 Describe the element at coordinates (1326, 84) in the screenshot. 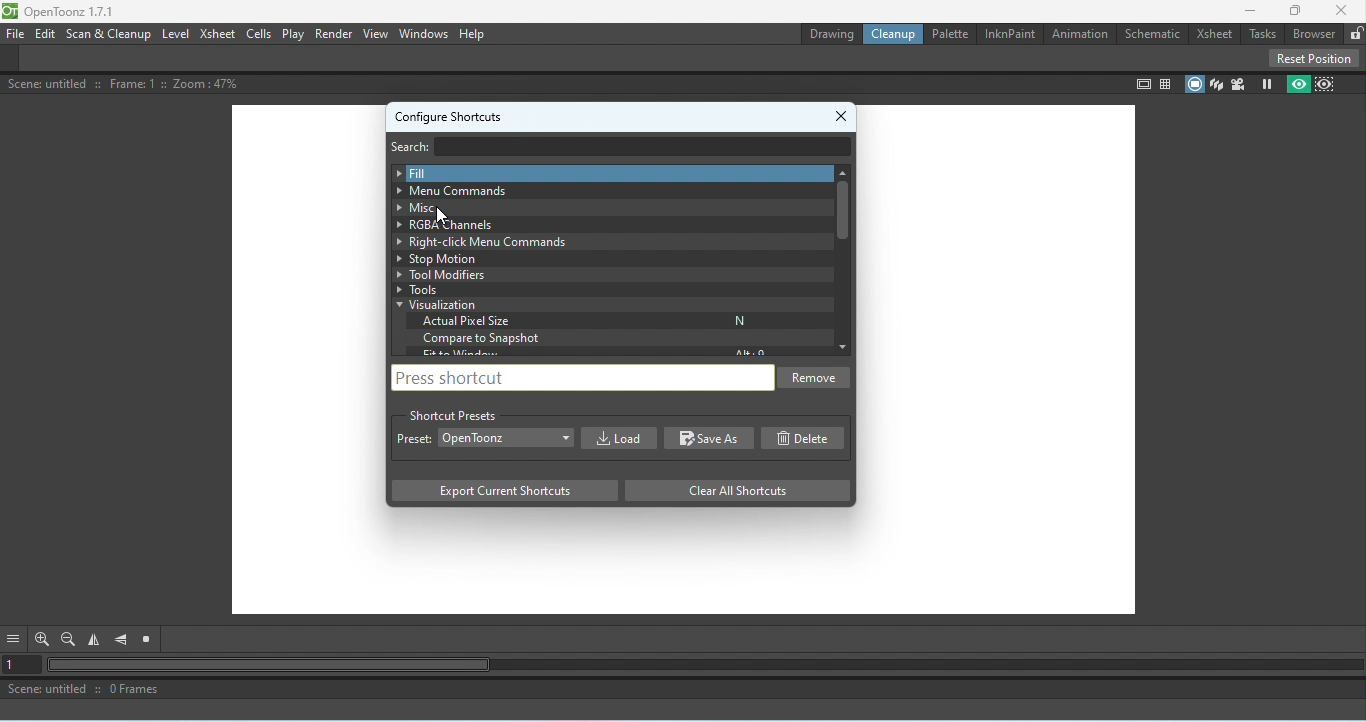

I see `Sub-camera preview` at that location.